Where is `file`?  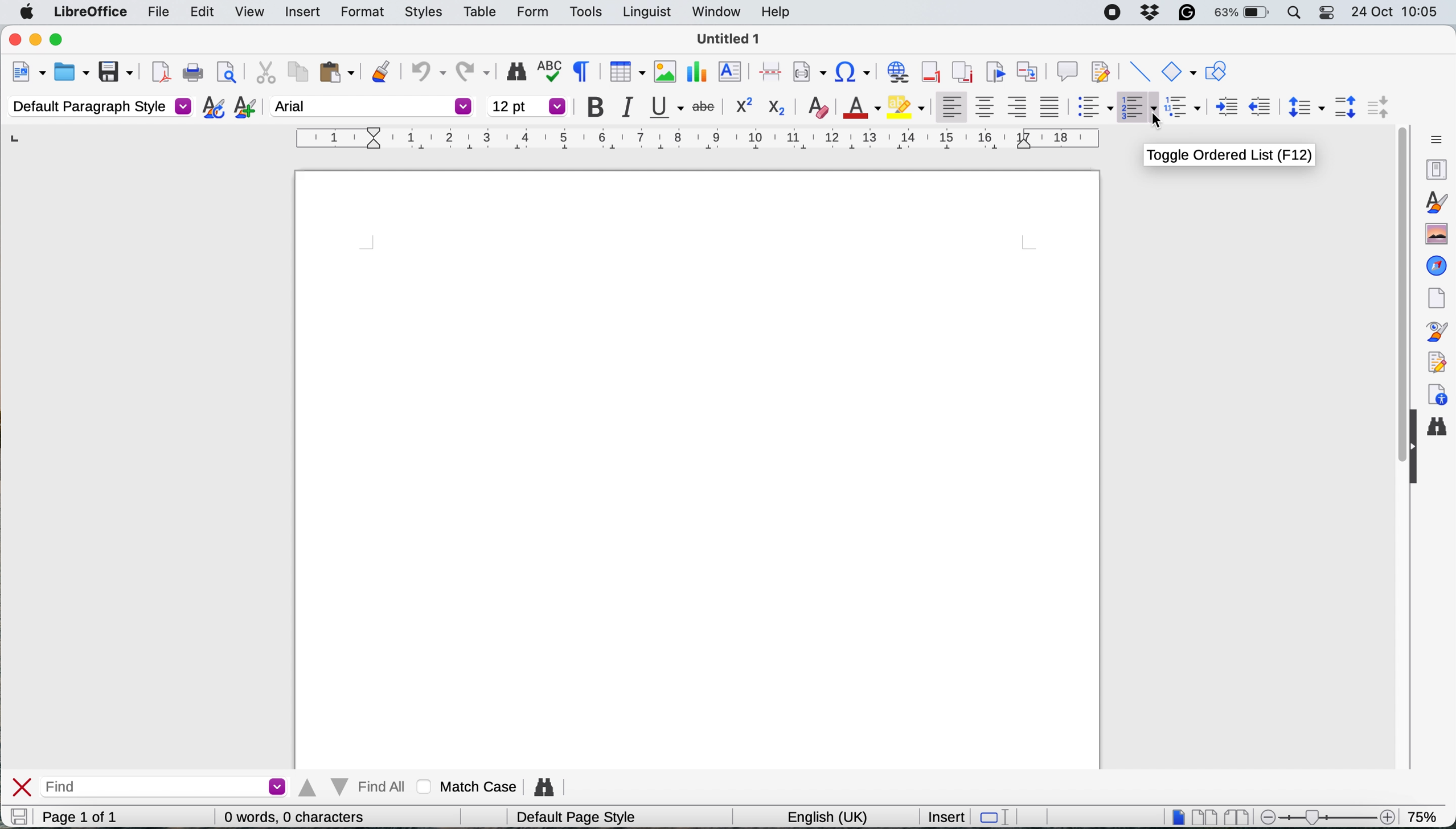
file is located at coordinates (159, 14).